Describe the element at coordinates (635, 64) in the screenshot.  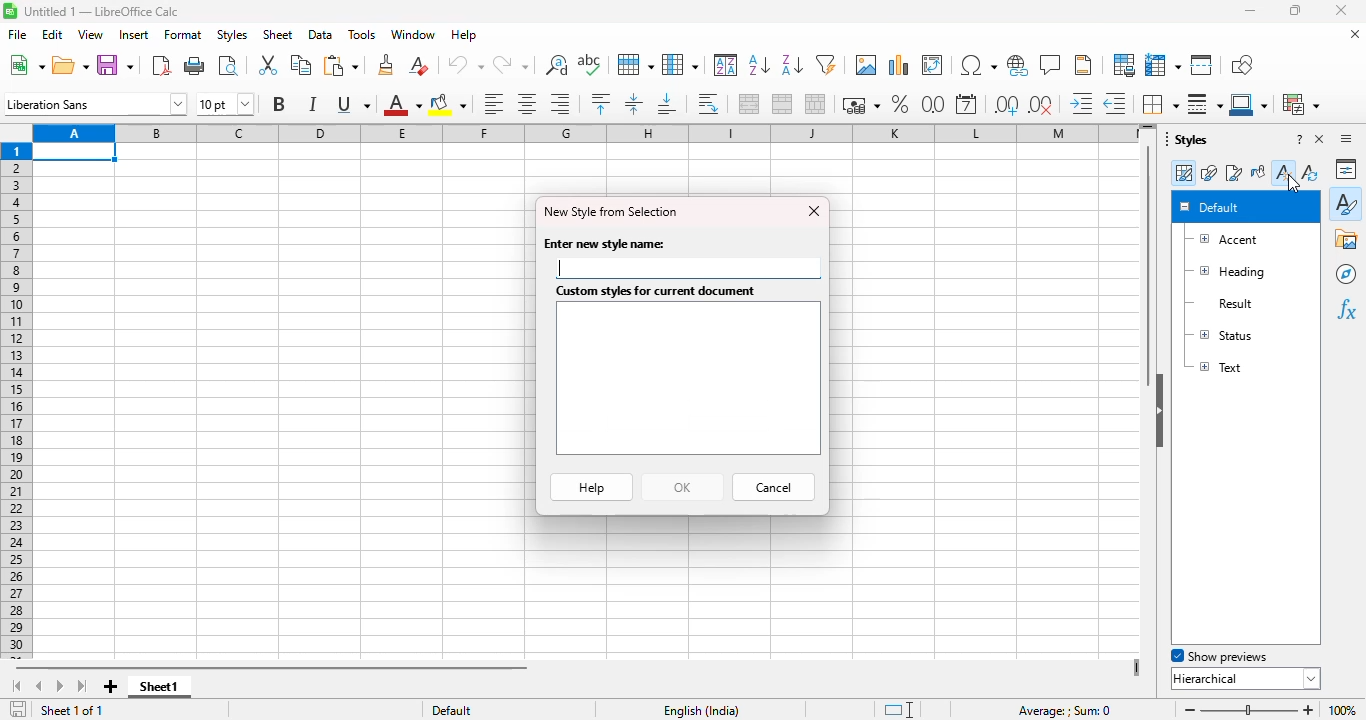
I see `row` at that location.